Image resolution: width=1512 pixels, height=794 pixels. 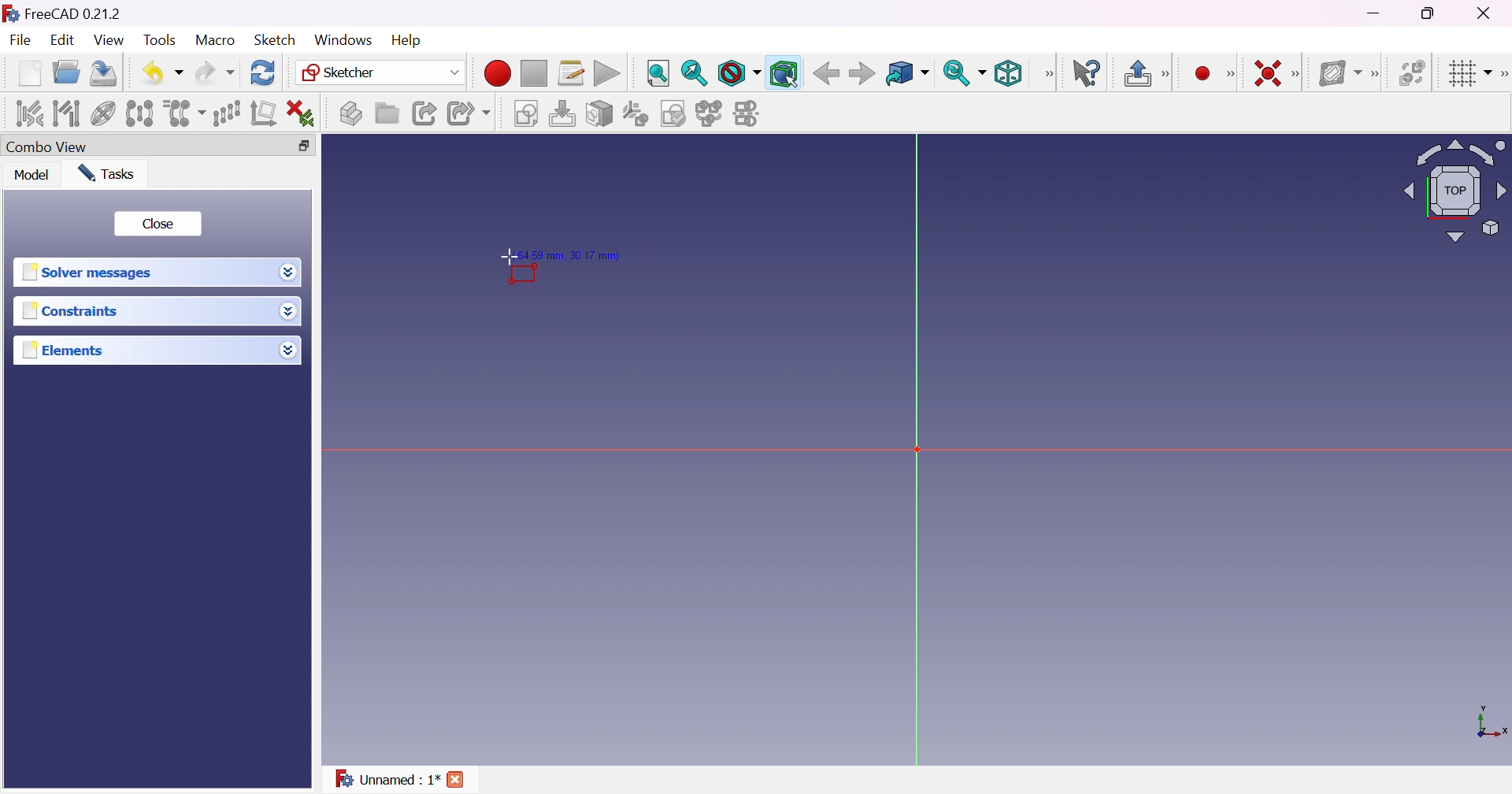 I want to click on [Sketcher edit mode], so click(x=1168, y=72).